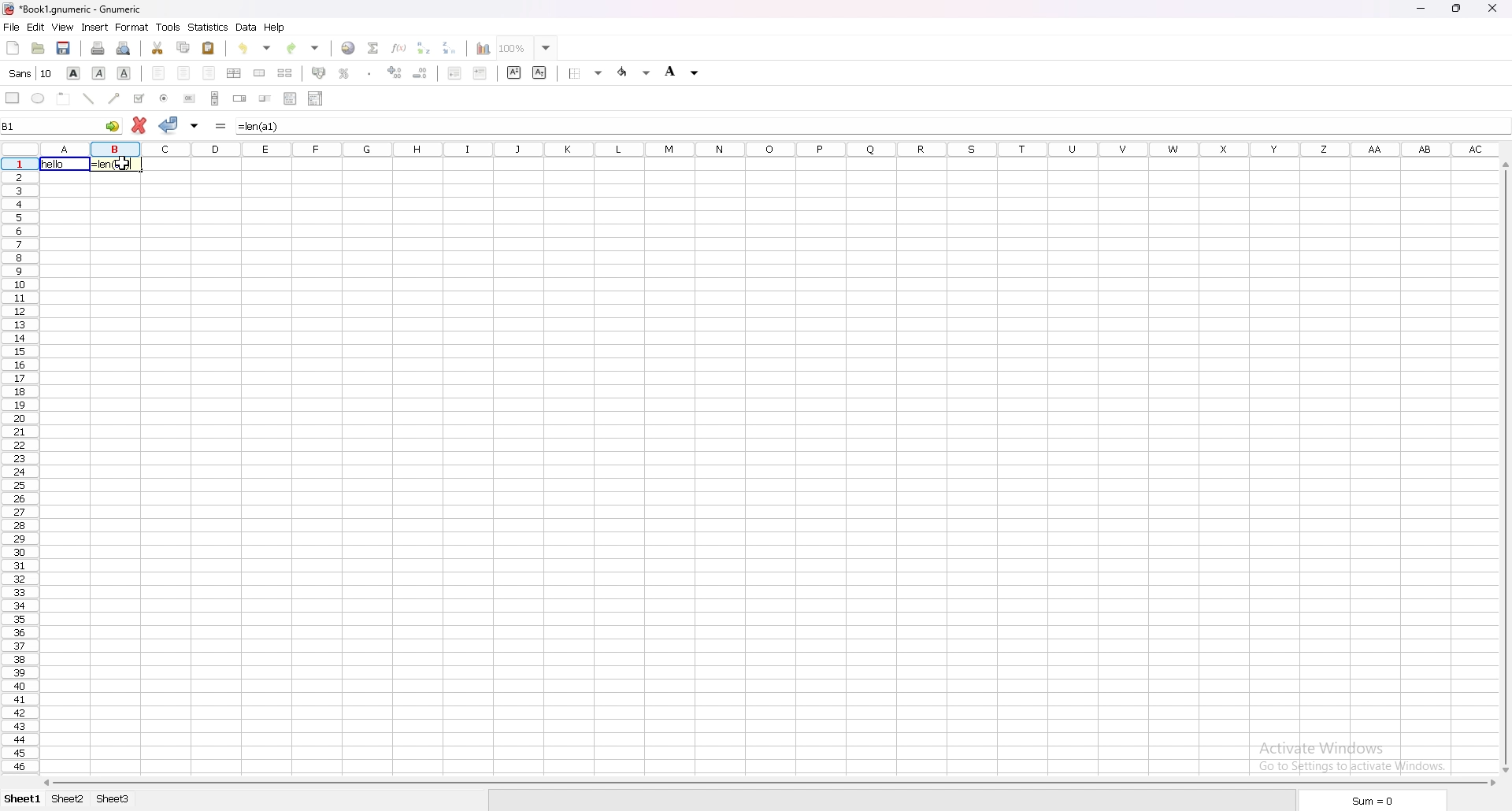 The width and height of the screenshot is (1512, 811). What do you see at coordinates (165, 98) in the screenshot?
I see `create radio button` at bounding box center [165, 98].